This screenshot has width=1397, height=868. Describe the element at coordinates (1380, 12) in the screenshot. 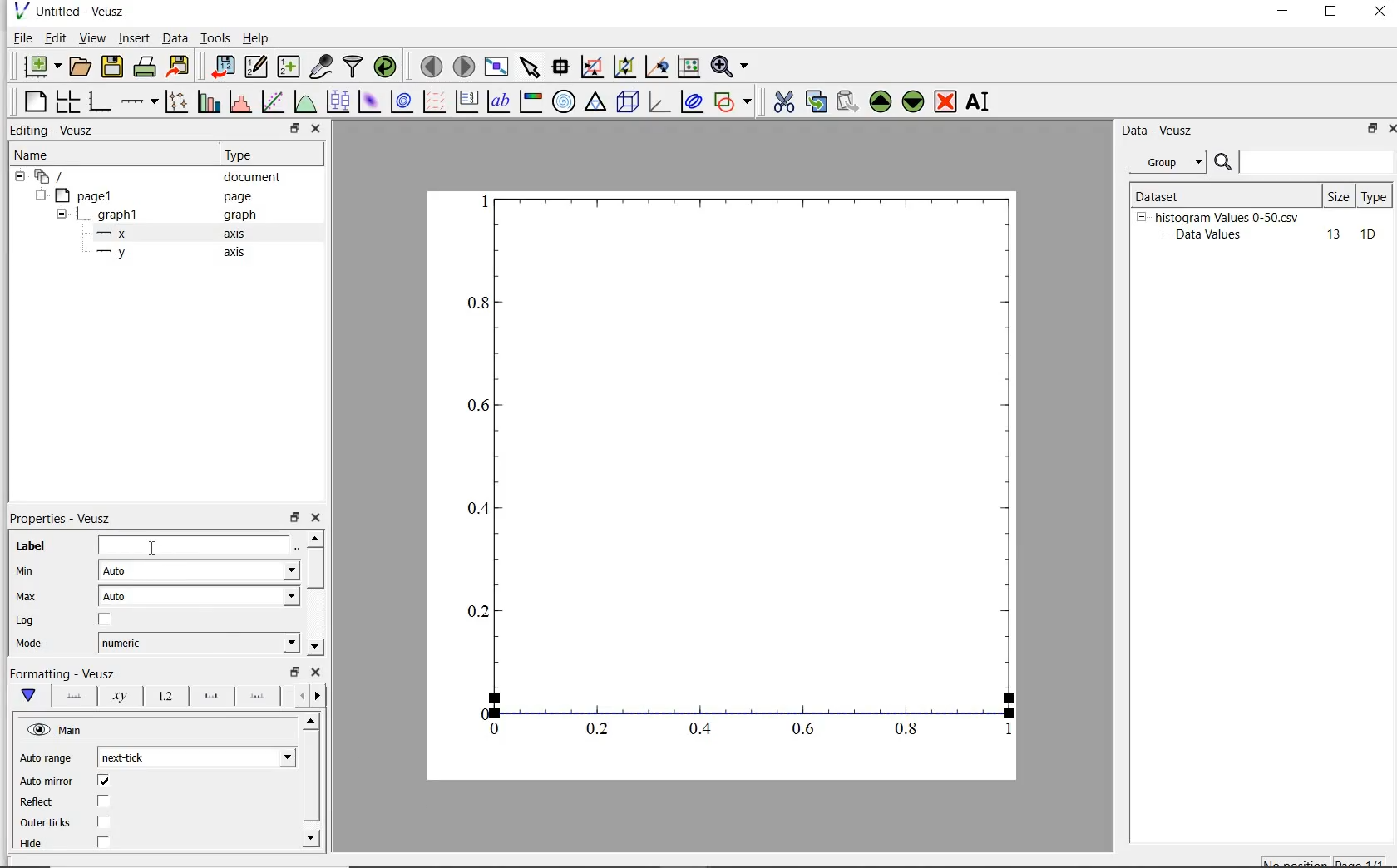

I see `close` at that location.